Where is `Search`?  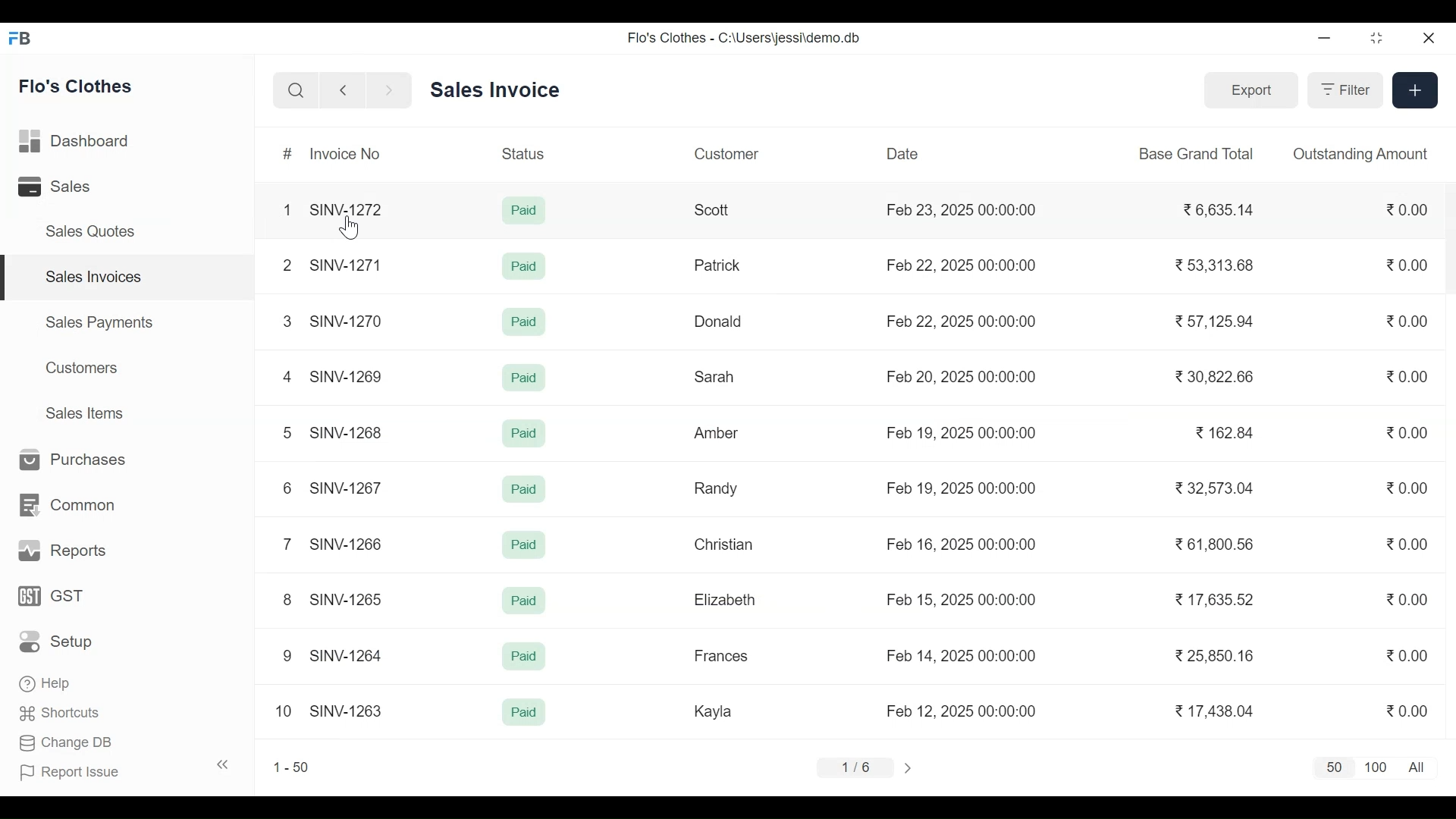
Search is located at coordinates (297, 90).